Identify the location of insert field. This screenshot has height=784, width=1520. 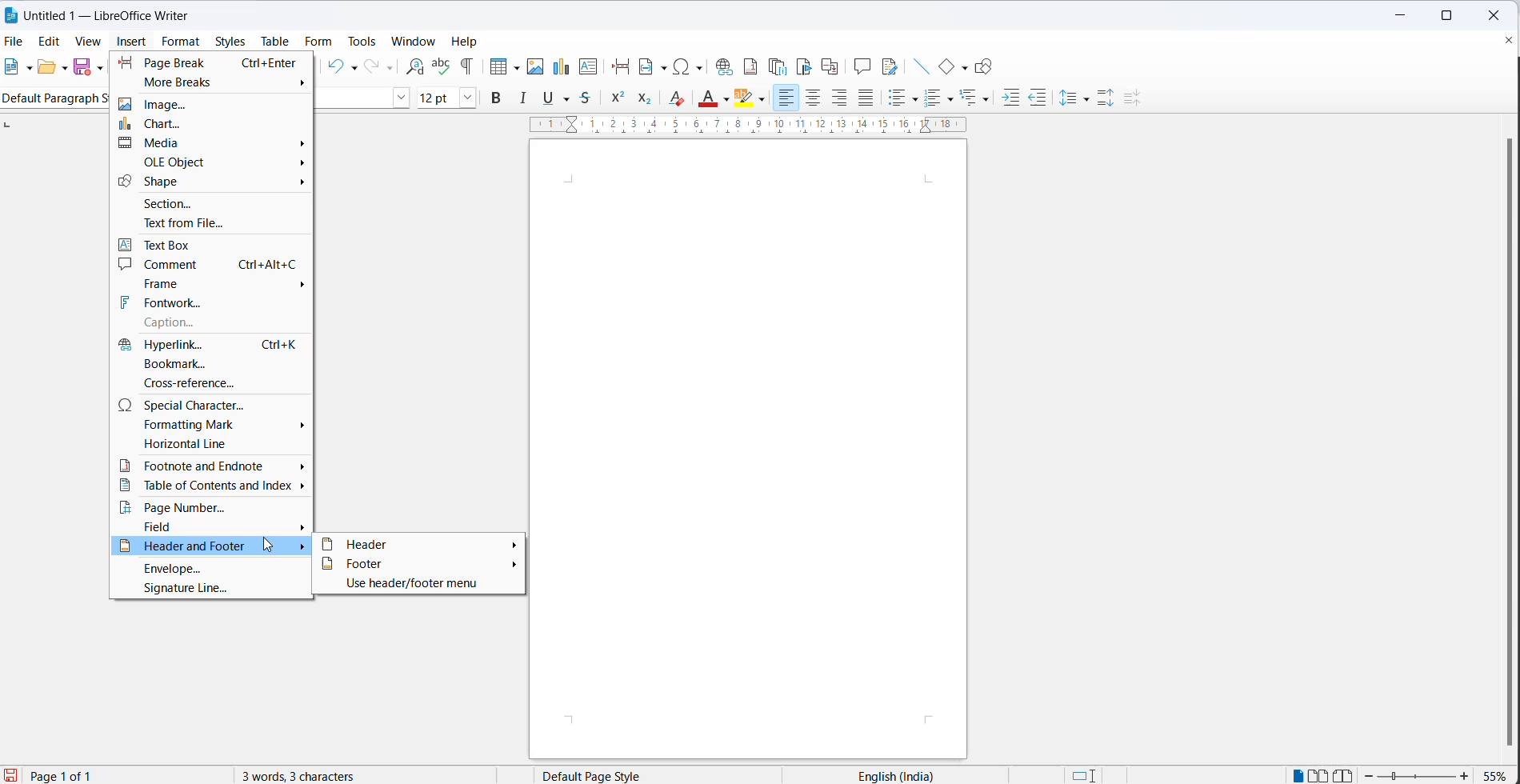
(651, 67).